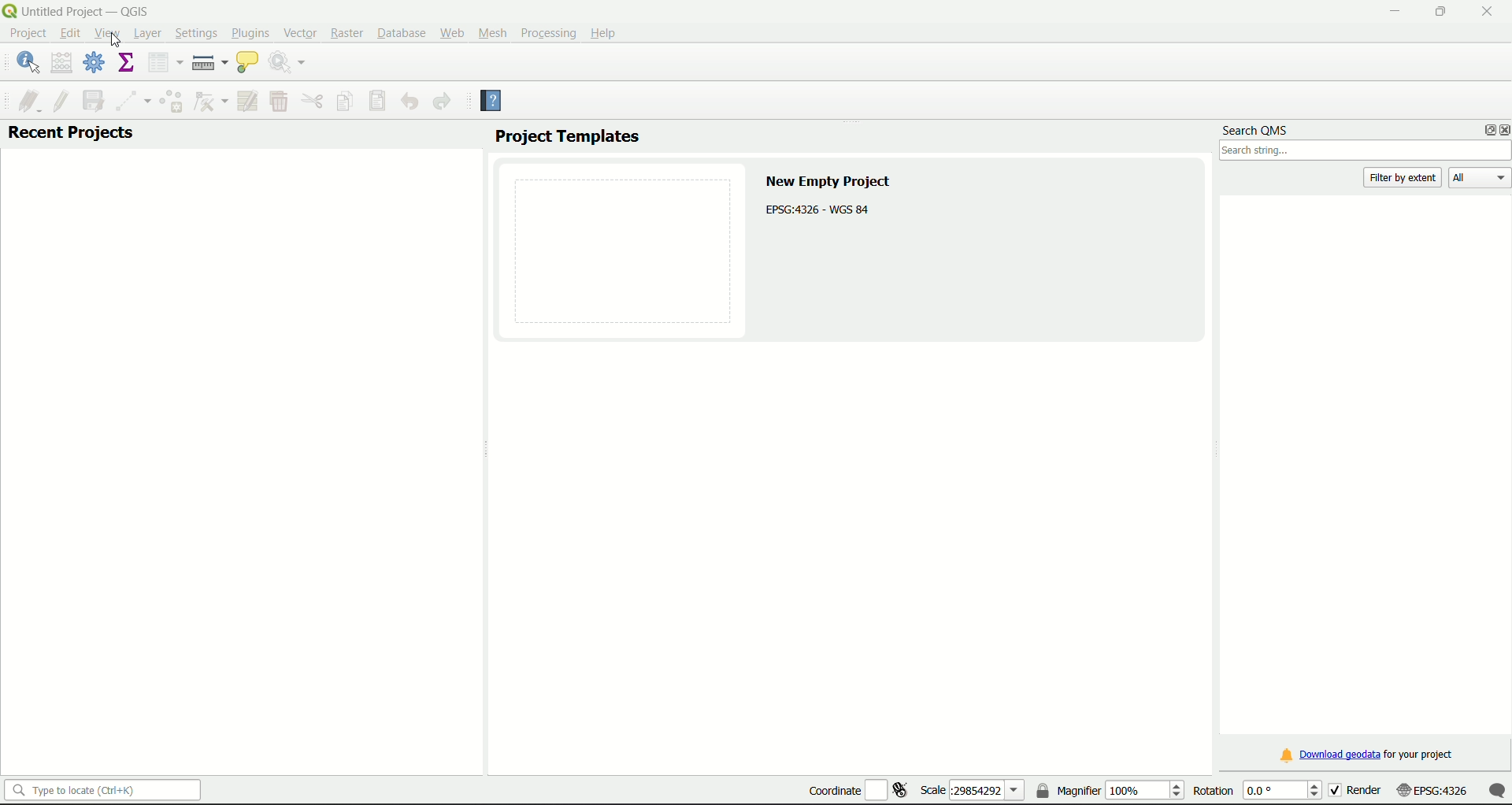 The width and height of the screenshot is (1512, 805). Describe the element at coordinates (452, 33) in the screenshot. I see `Web` at that location.